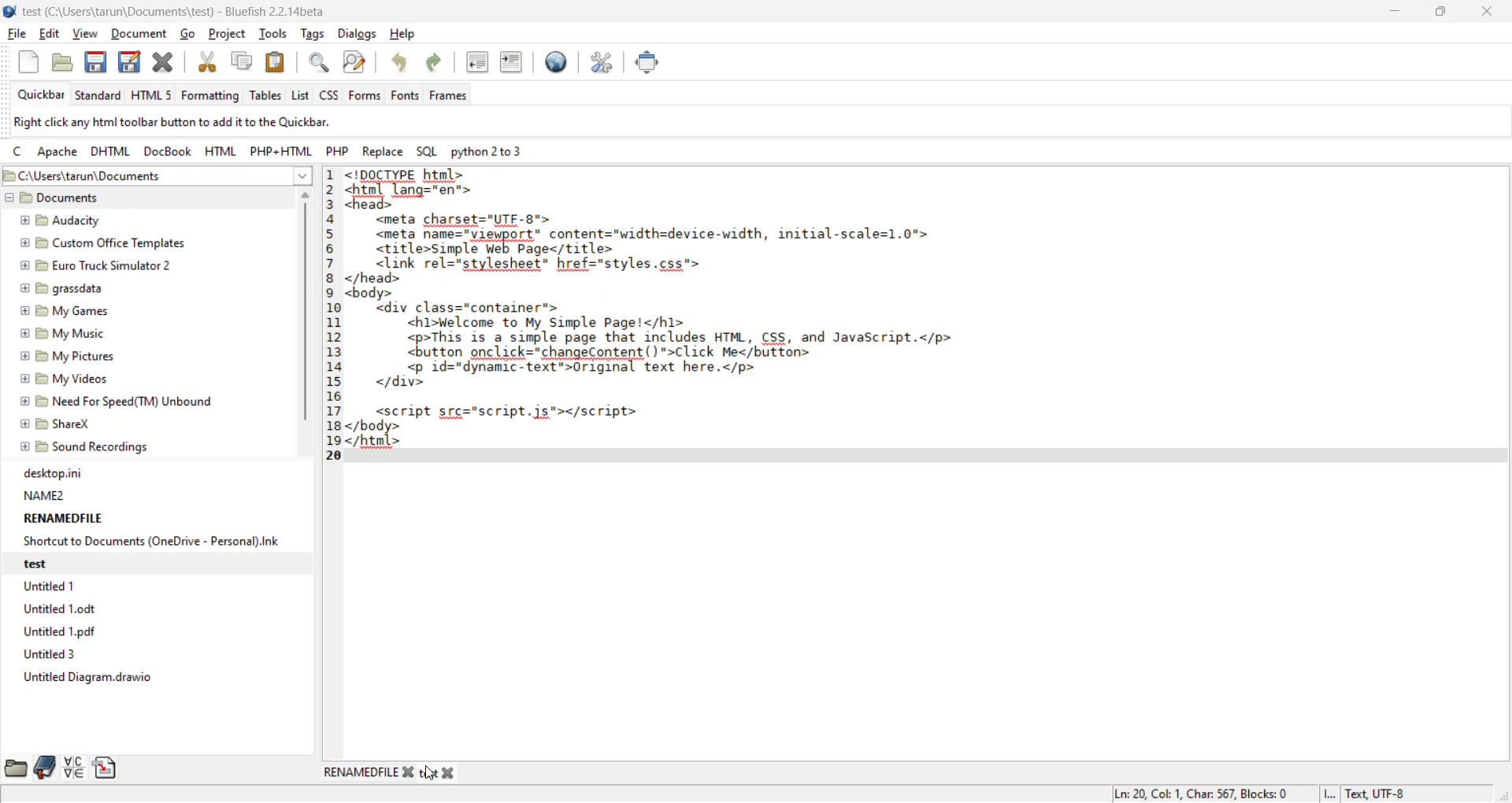 The height and width of the screenshot is (803, 1512). Describe the element at coordinates (272, 35) in the screenshot. I see `tools` at that location.